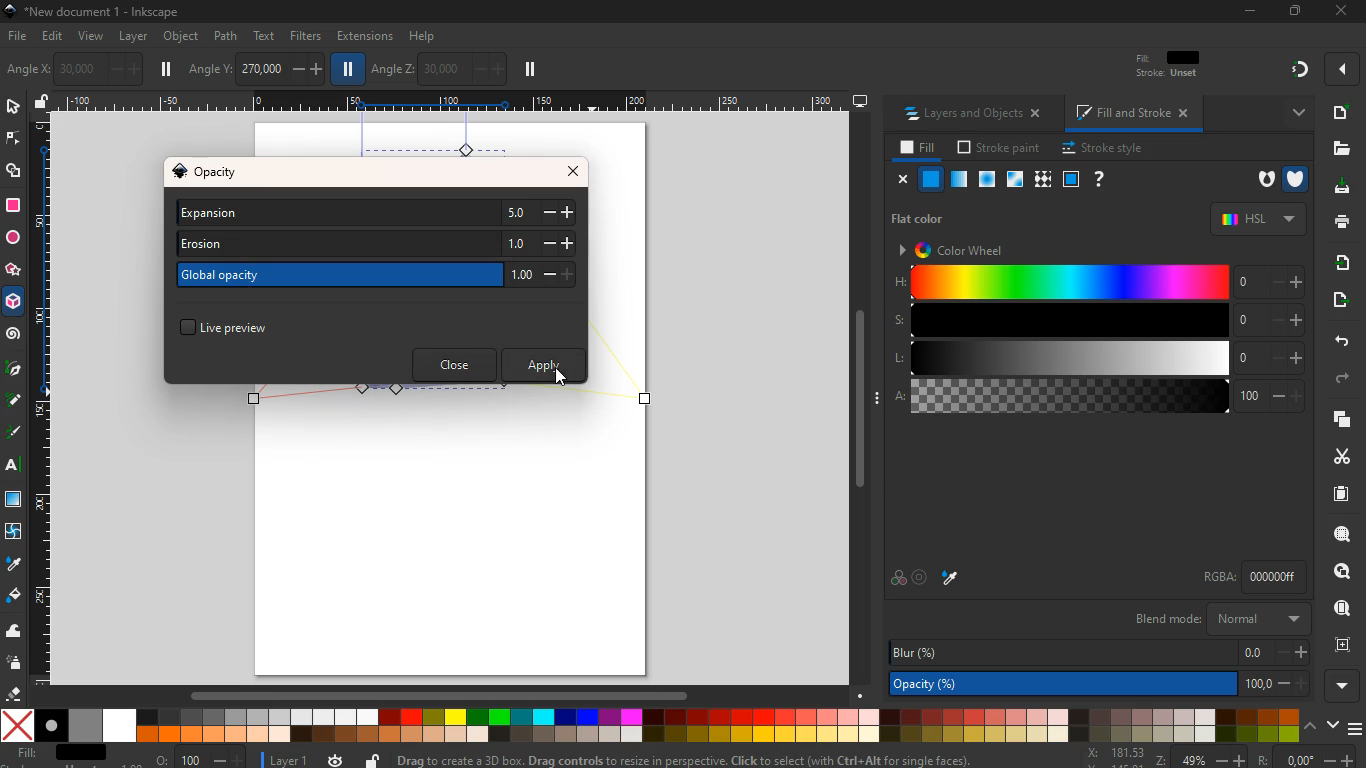  What do you see at coordinates (220, 173) in the screenshot?
I see `opacity` at bounding box center [220, 173].